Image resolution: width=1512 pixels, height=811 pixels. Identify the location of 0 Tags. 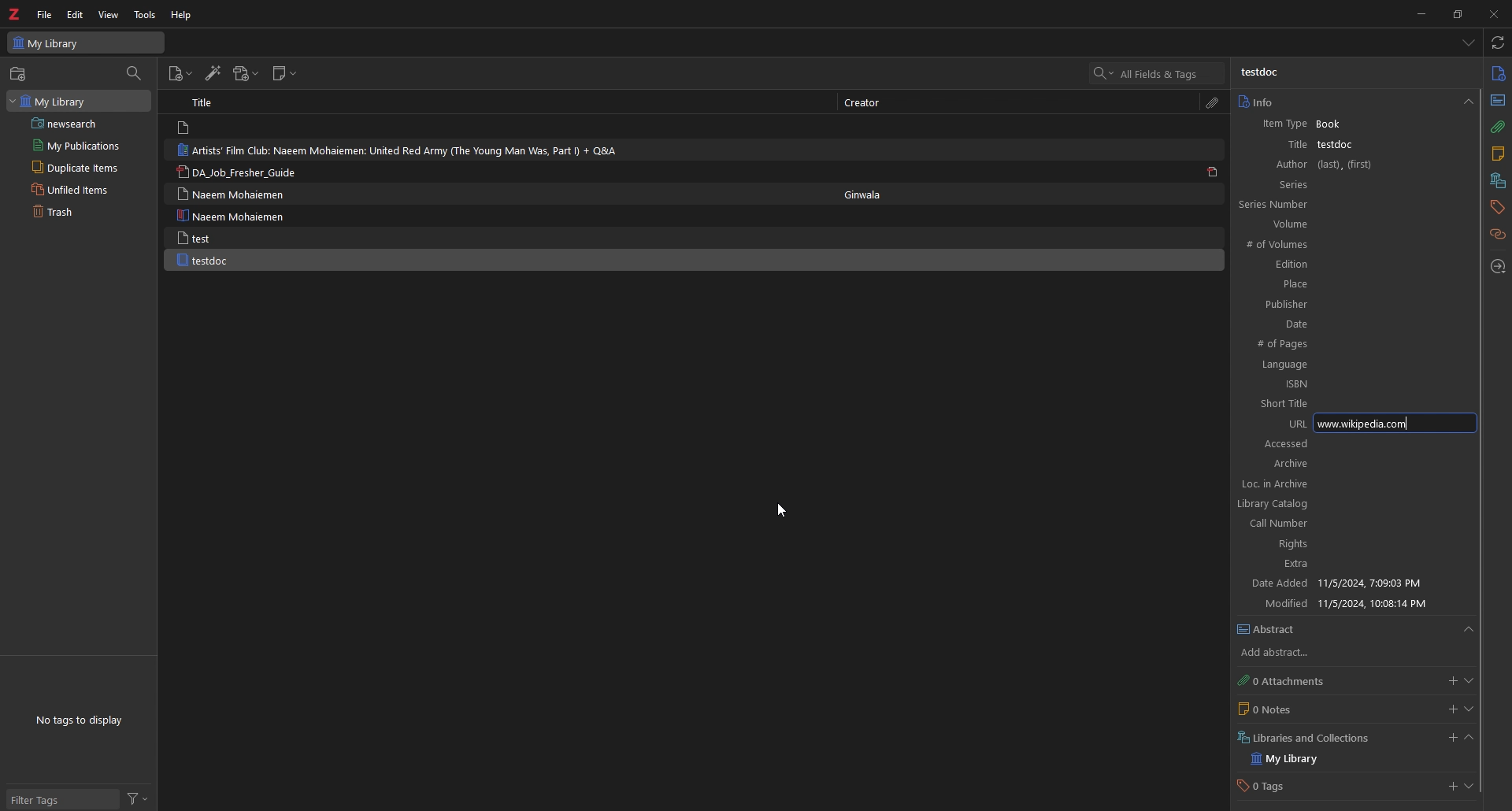
(1273, 786).